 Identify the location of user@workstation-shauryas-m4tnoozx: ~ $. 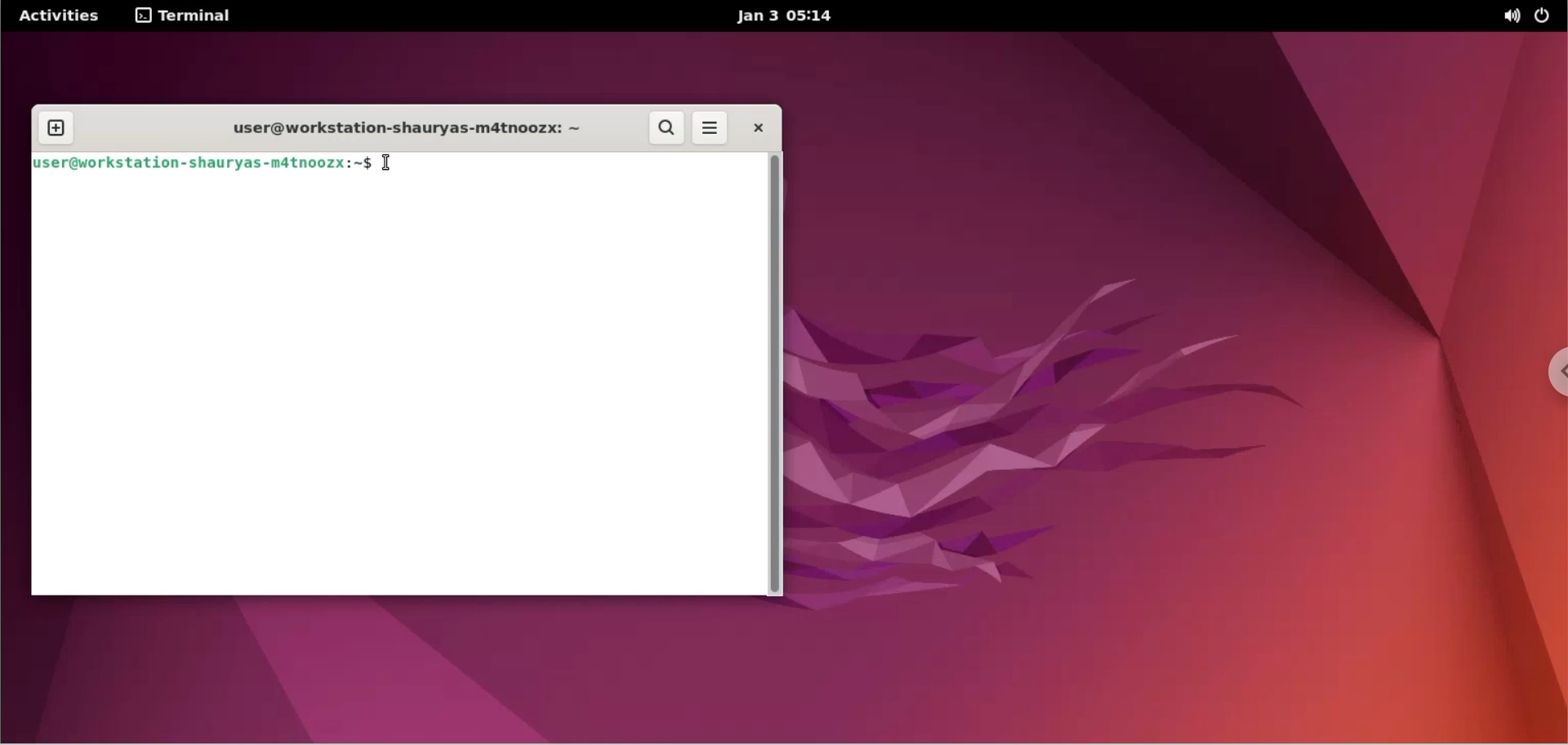
(203, 165).